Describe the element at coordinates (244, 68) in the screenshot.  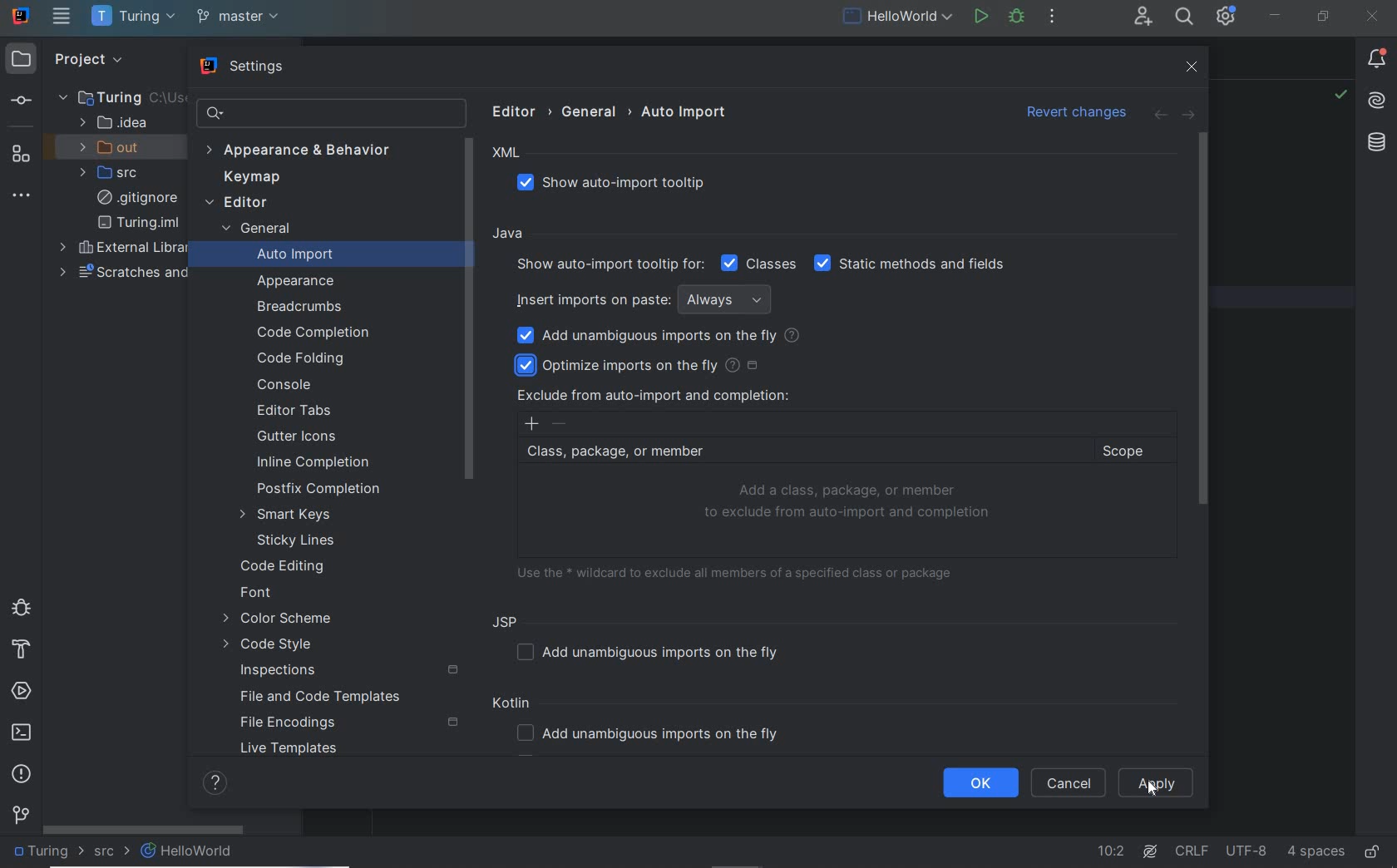
I see `SETTINGS` at that location.